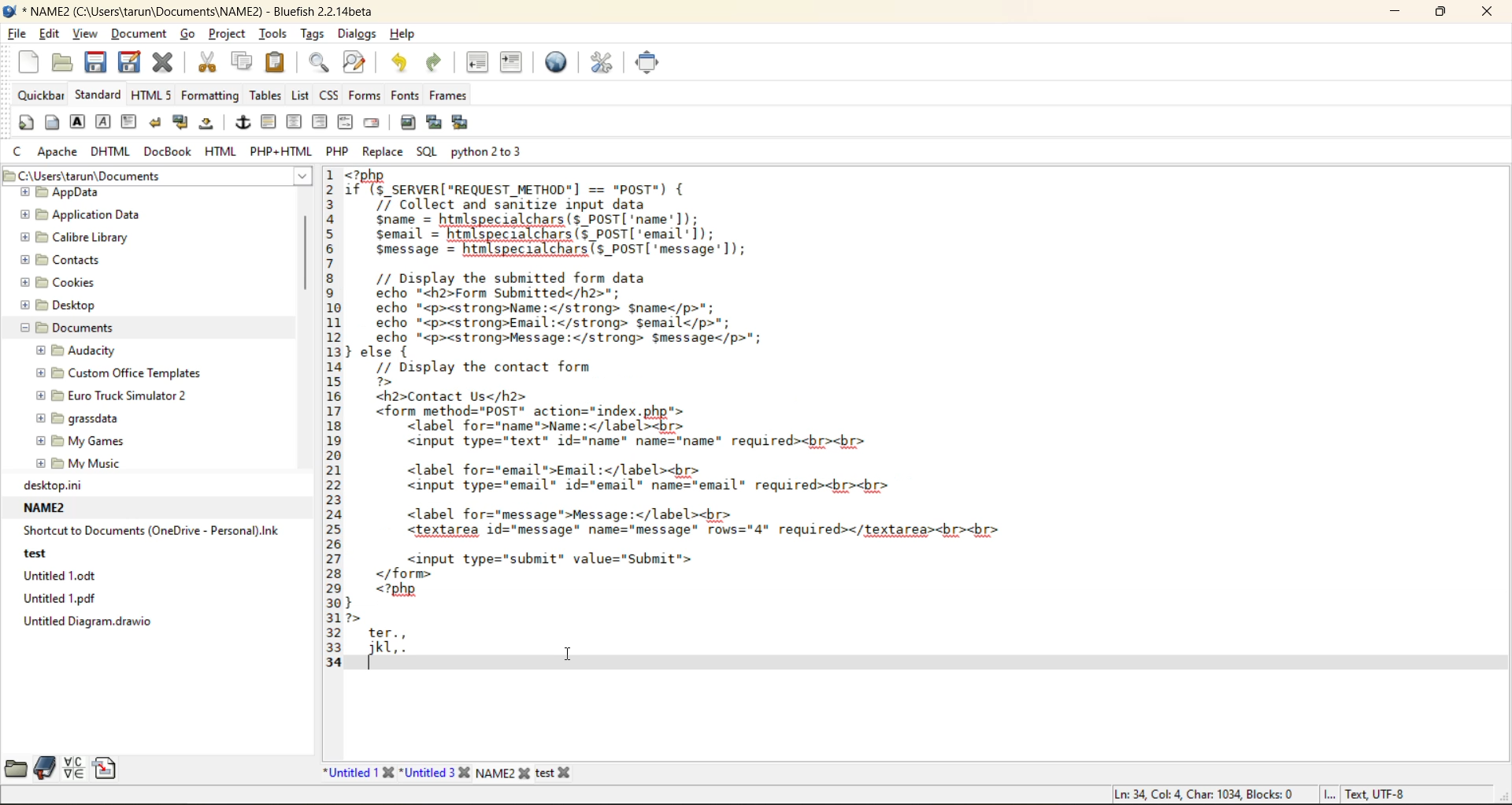  Describe the element at coordinates (76, 463) in the screenshot. I see `My Music` at that location.